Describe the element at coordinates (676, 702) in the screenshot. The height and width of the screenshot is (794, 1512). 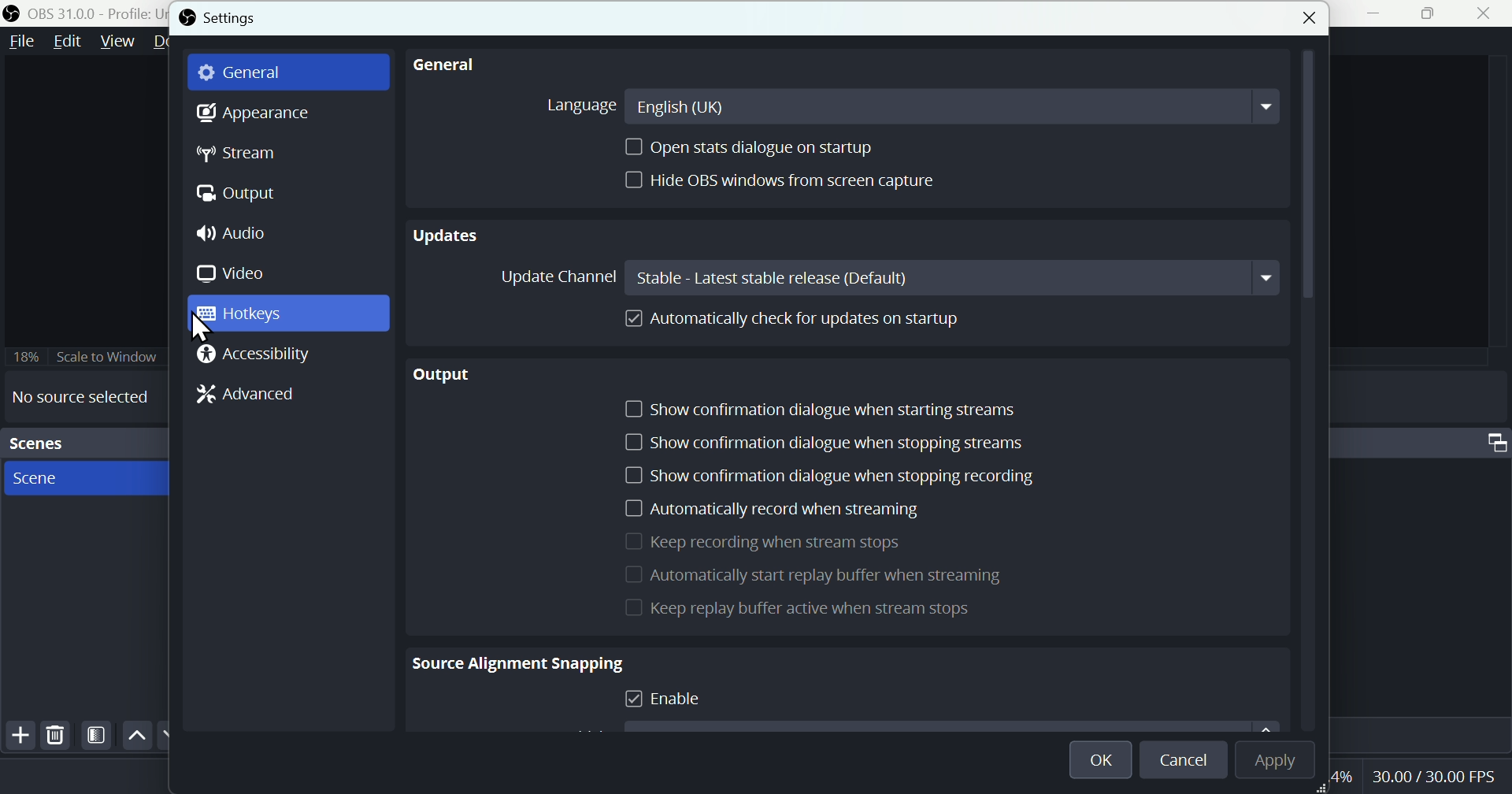
I see `Enable` at that location.